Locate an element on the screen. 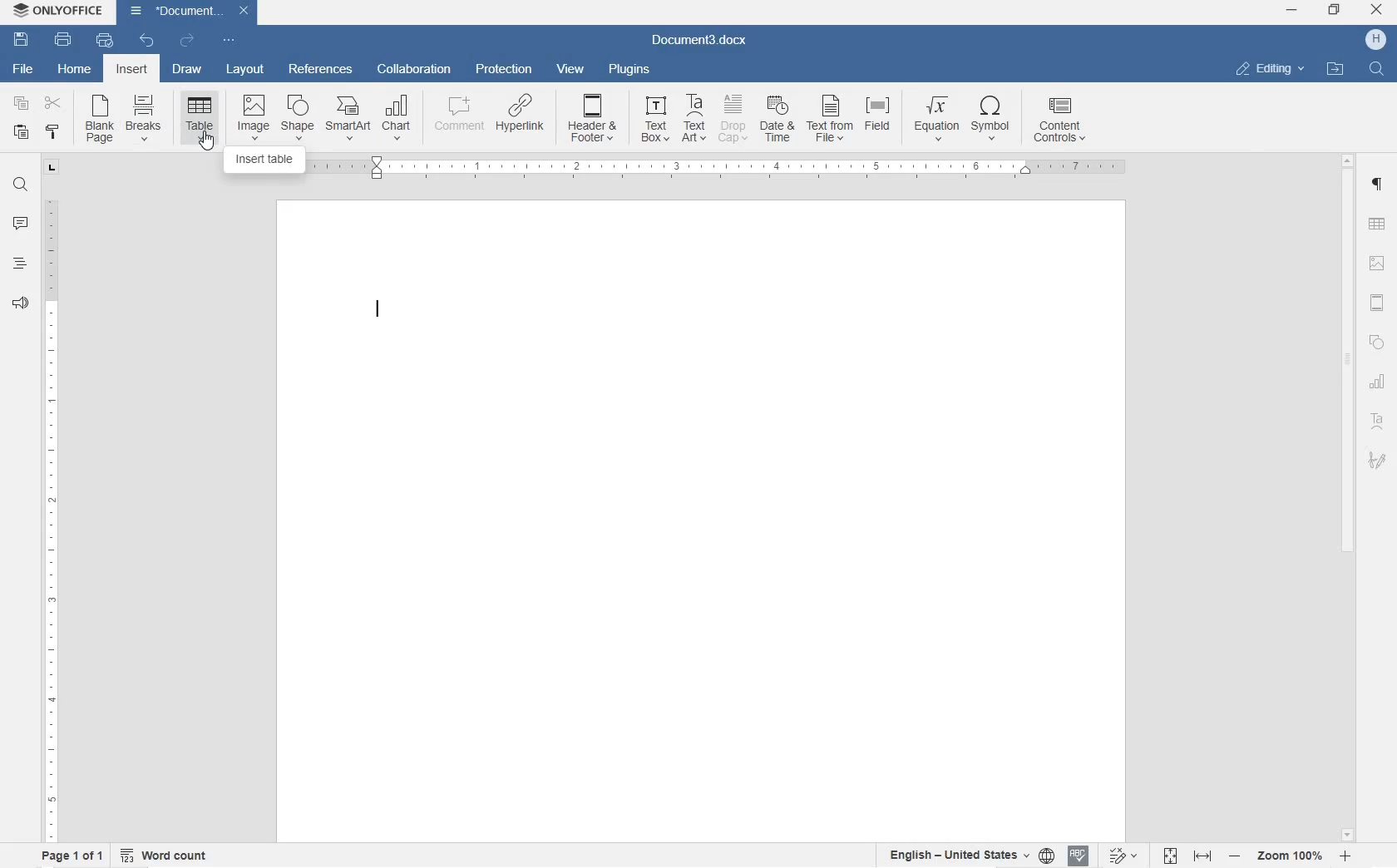  ZOOM IN OR OUT is located at coordinates (1291, 855).